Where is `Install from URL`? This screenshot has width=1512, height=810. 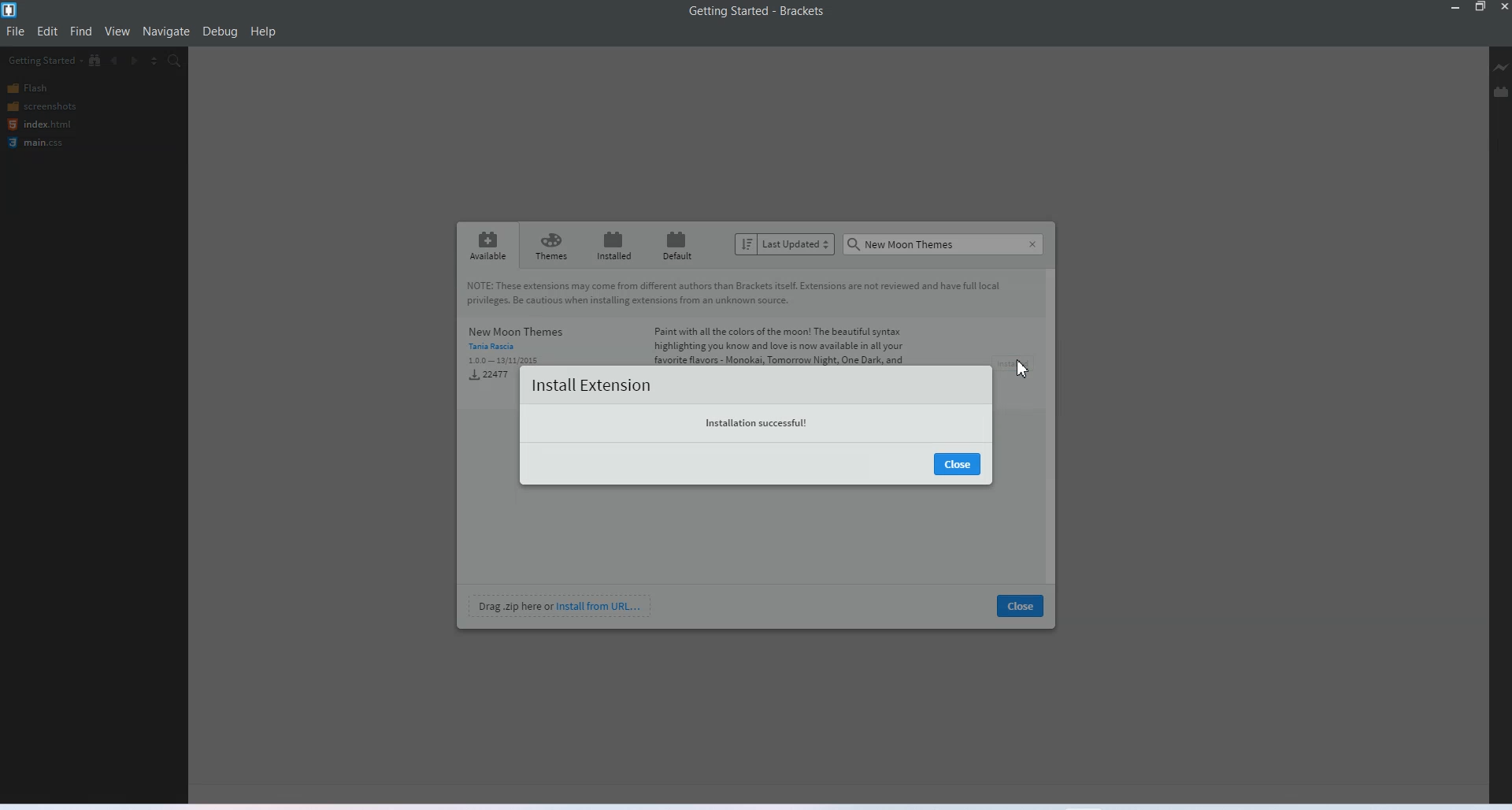
Install from URL is located at coordinates (560, 605).